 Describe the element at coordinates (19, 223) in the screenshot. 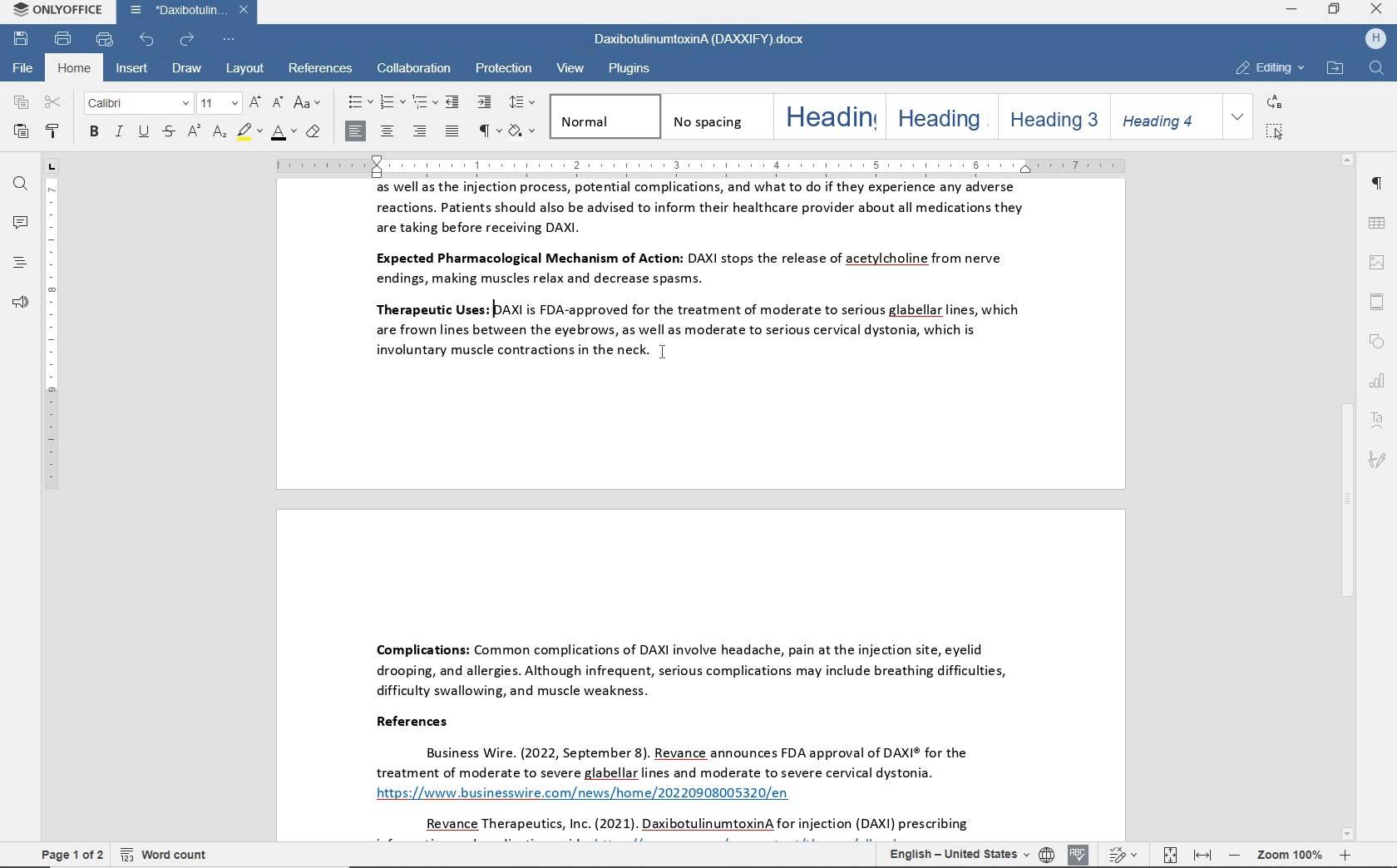

I see `comments` at that location.